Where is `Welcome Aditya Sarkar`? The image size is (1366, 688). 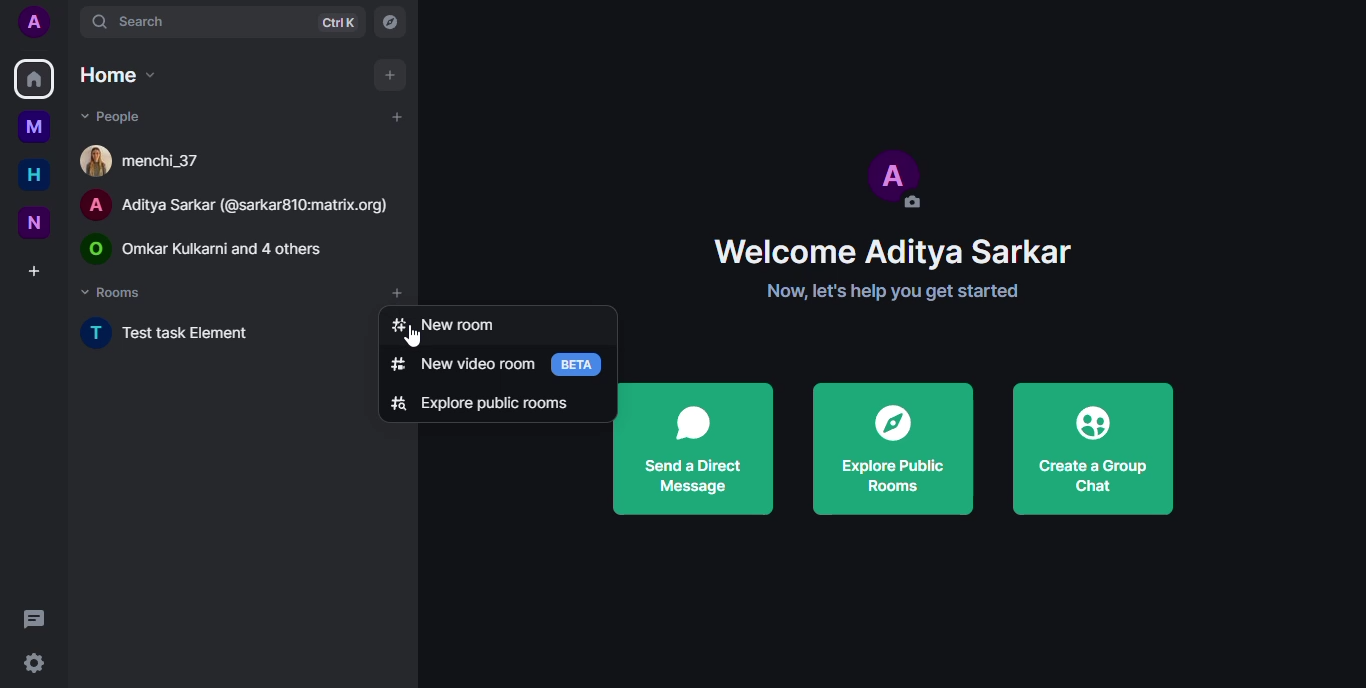
Welcome Aditya Sarkar is located at coordinates (851, 248).